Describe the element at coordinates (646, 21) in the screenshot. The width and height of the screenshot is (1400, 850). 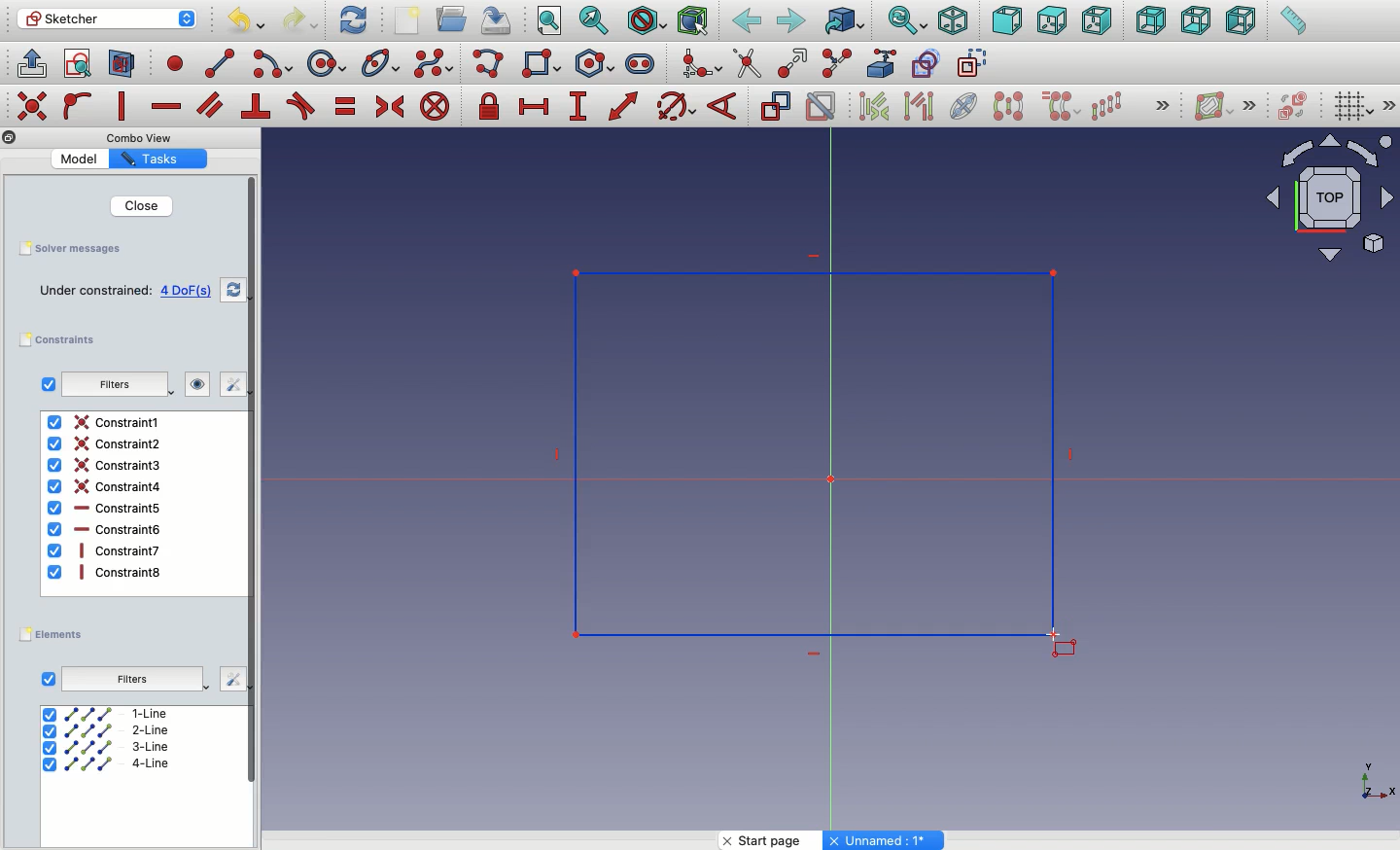
I see `Draw style` at that location.